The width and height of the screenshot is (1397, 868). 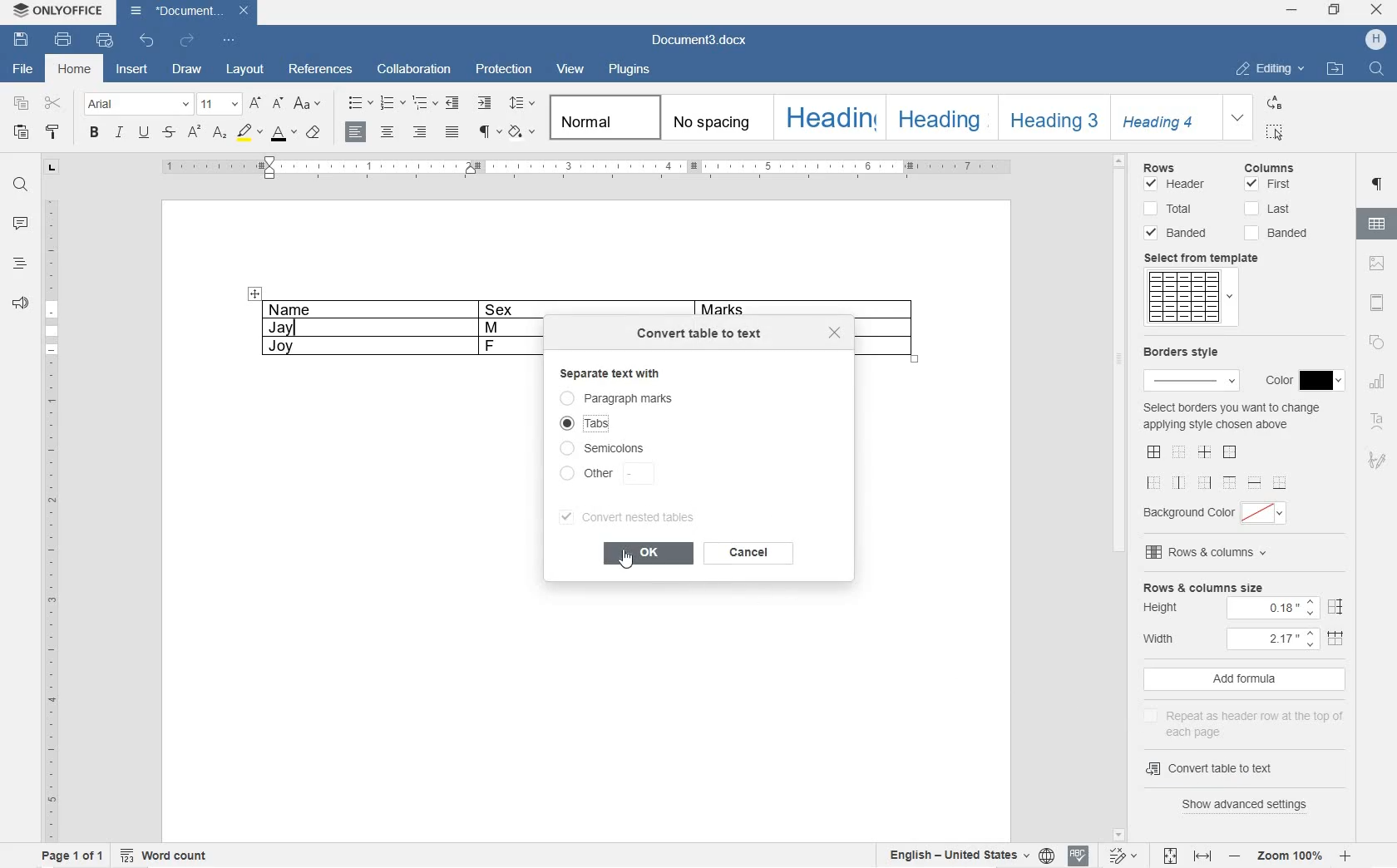 I want to click on NO SPACING, so click(x=713, y=117).